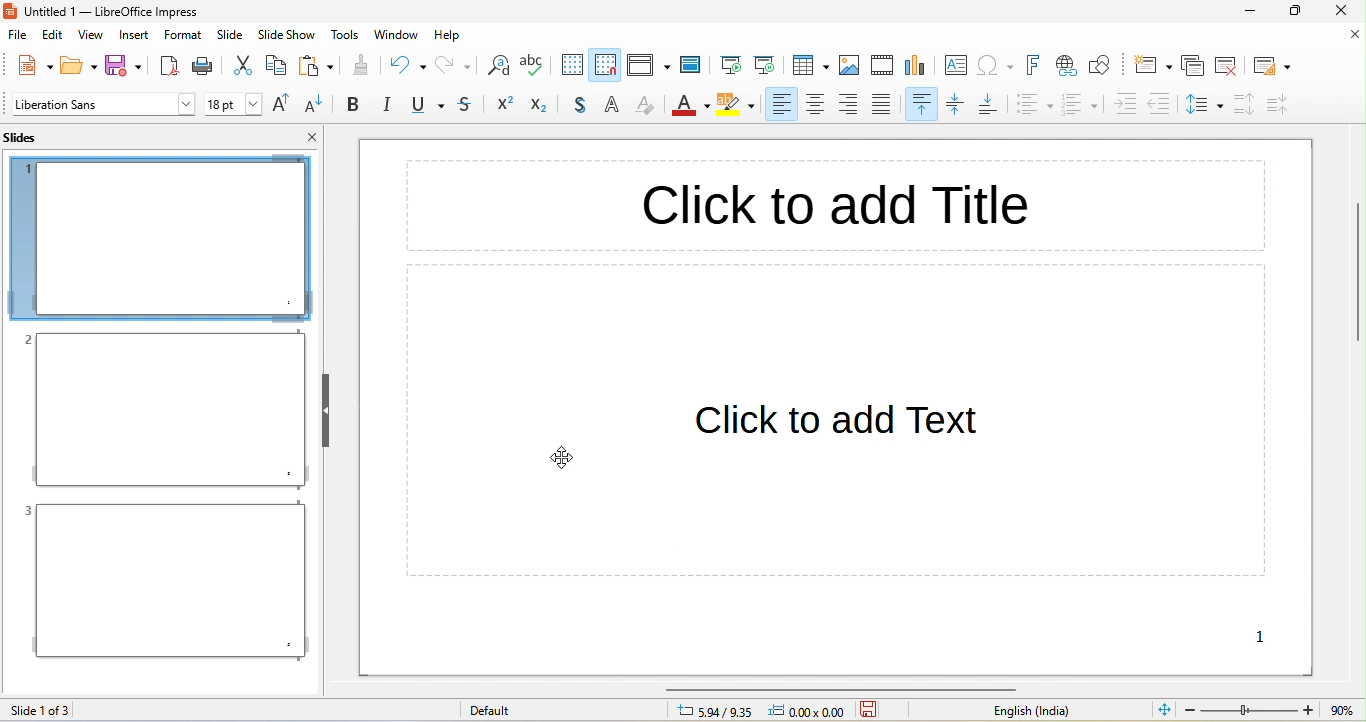  I want to click on find and replace, so click(496, 67).